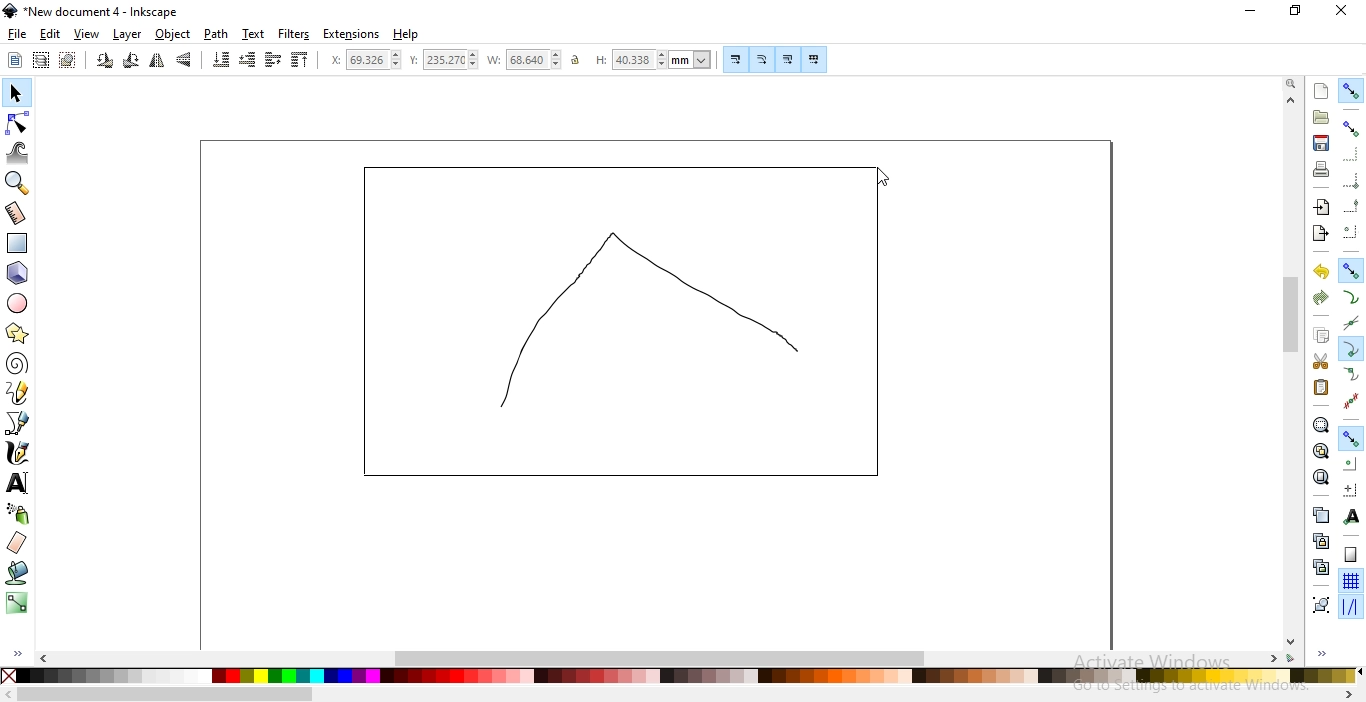 The image size is (1366, 702). What do you see at coordinates (879, 178) in the screenshot?
I see `cursor` at bounding box center [879, 178].